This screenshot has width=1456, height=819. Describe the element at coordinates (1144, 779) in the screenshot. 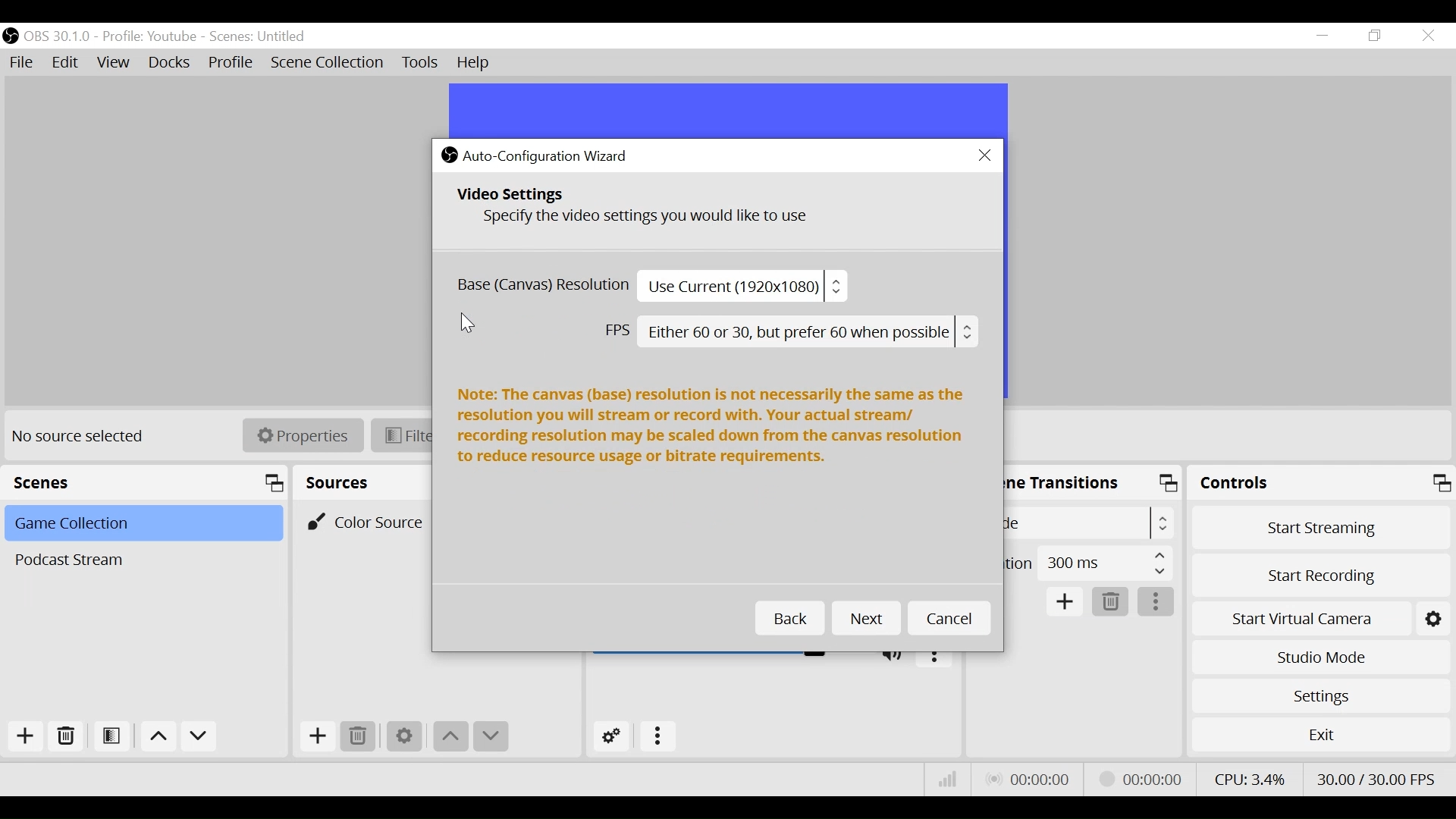

I see `Stream ` at that location.